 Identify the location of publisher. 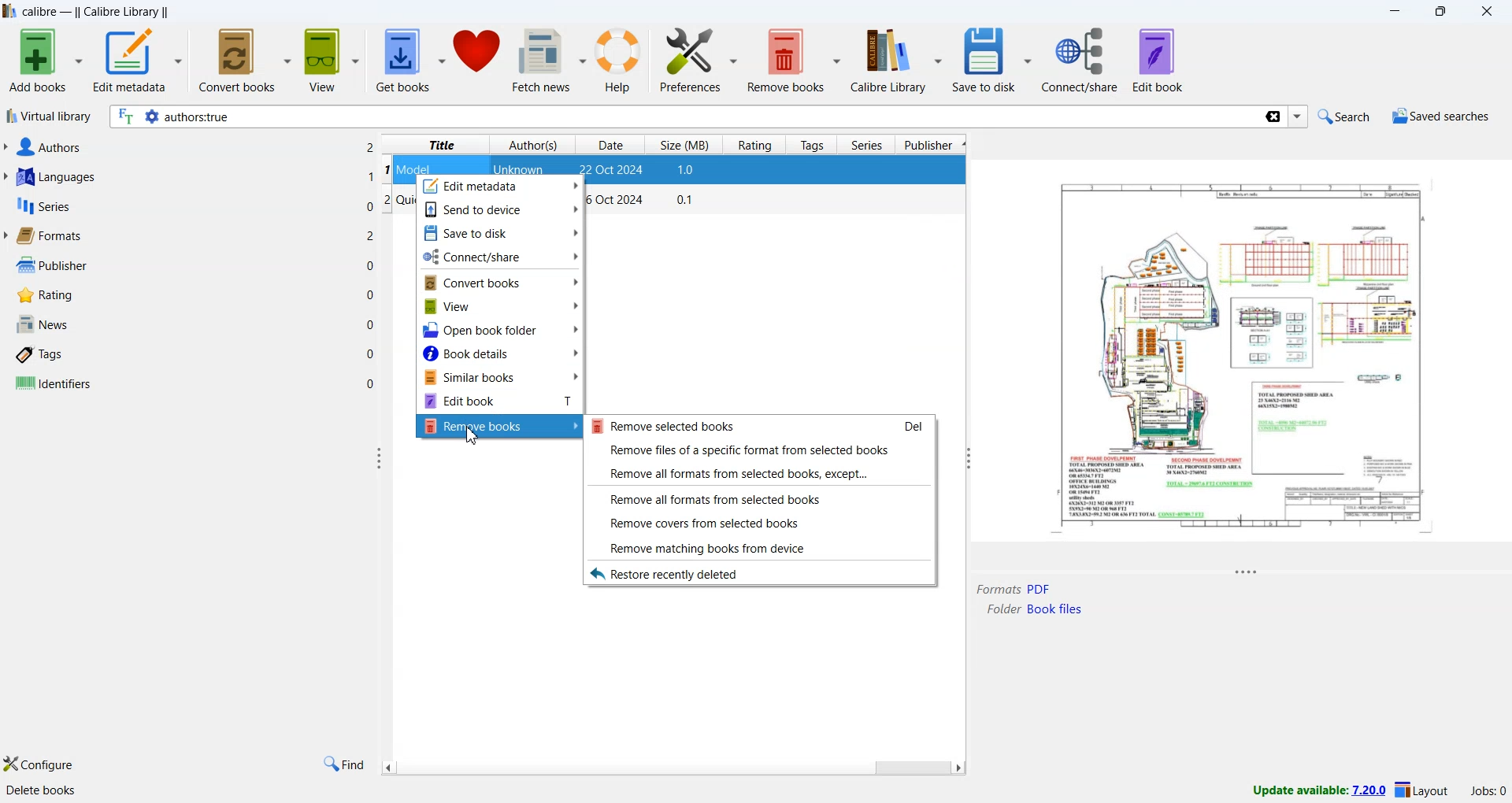
(932, 146).